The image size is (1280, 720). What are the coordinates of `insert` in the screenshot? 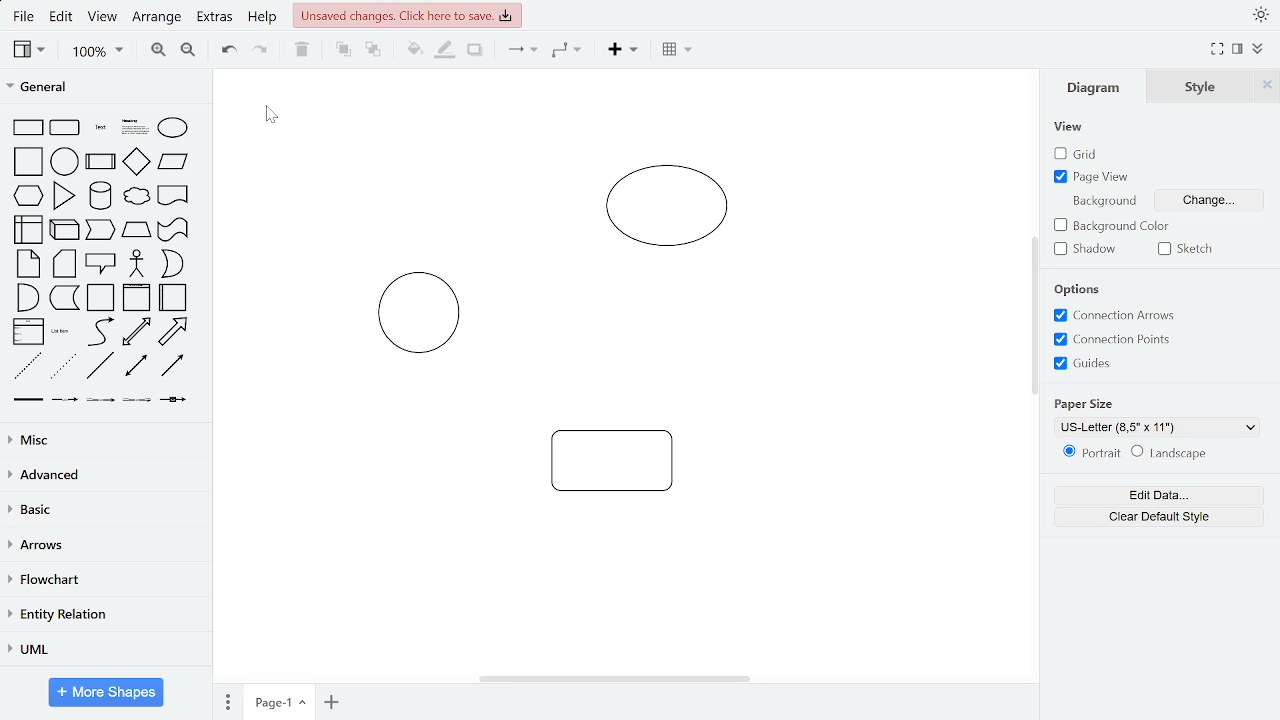 It's located at (621, 52).